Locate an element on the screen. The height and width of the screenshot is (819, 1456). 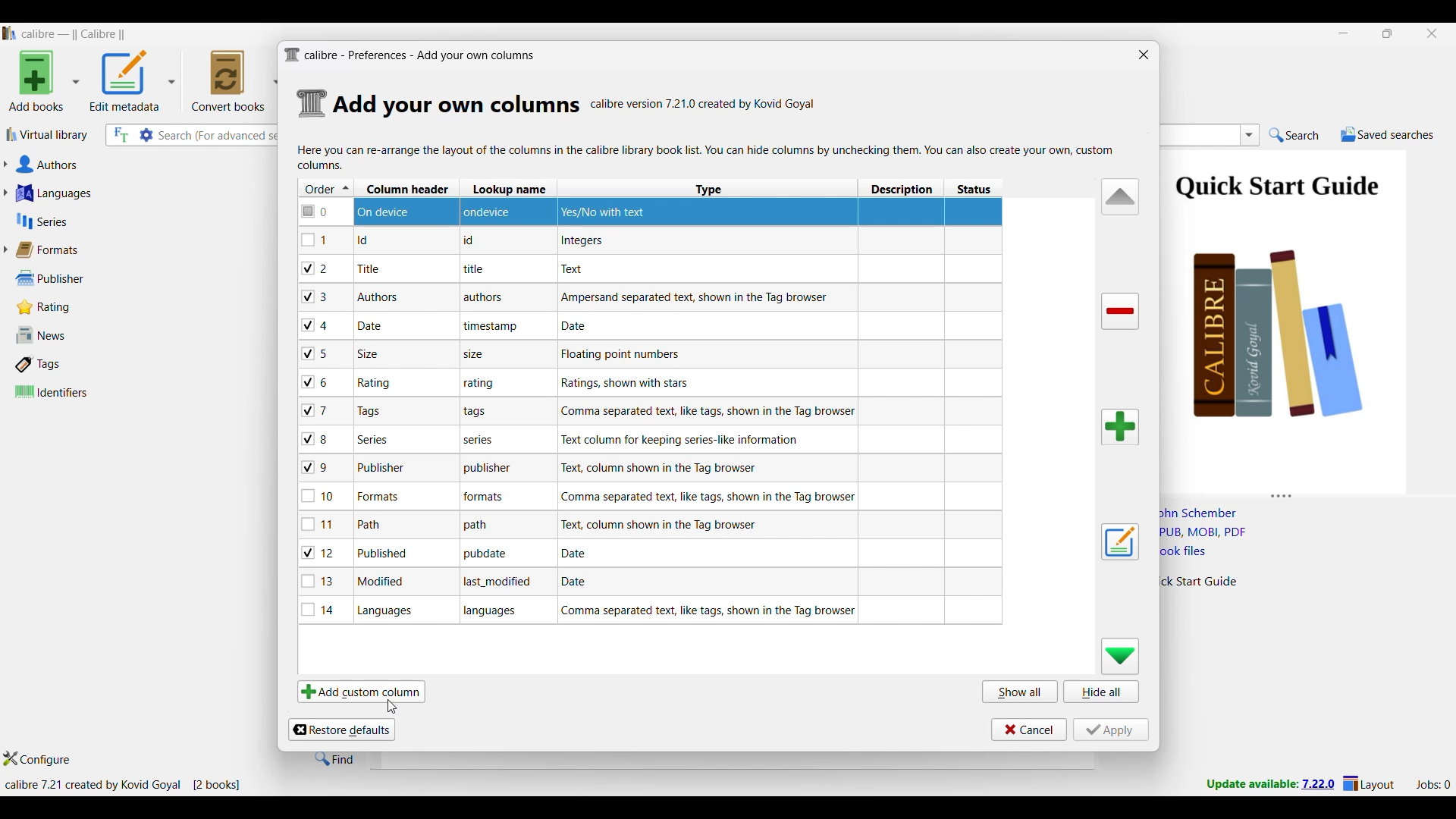
Explanation is located at coordinates (585, 241).